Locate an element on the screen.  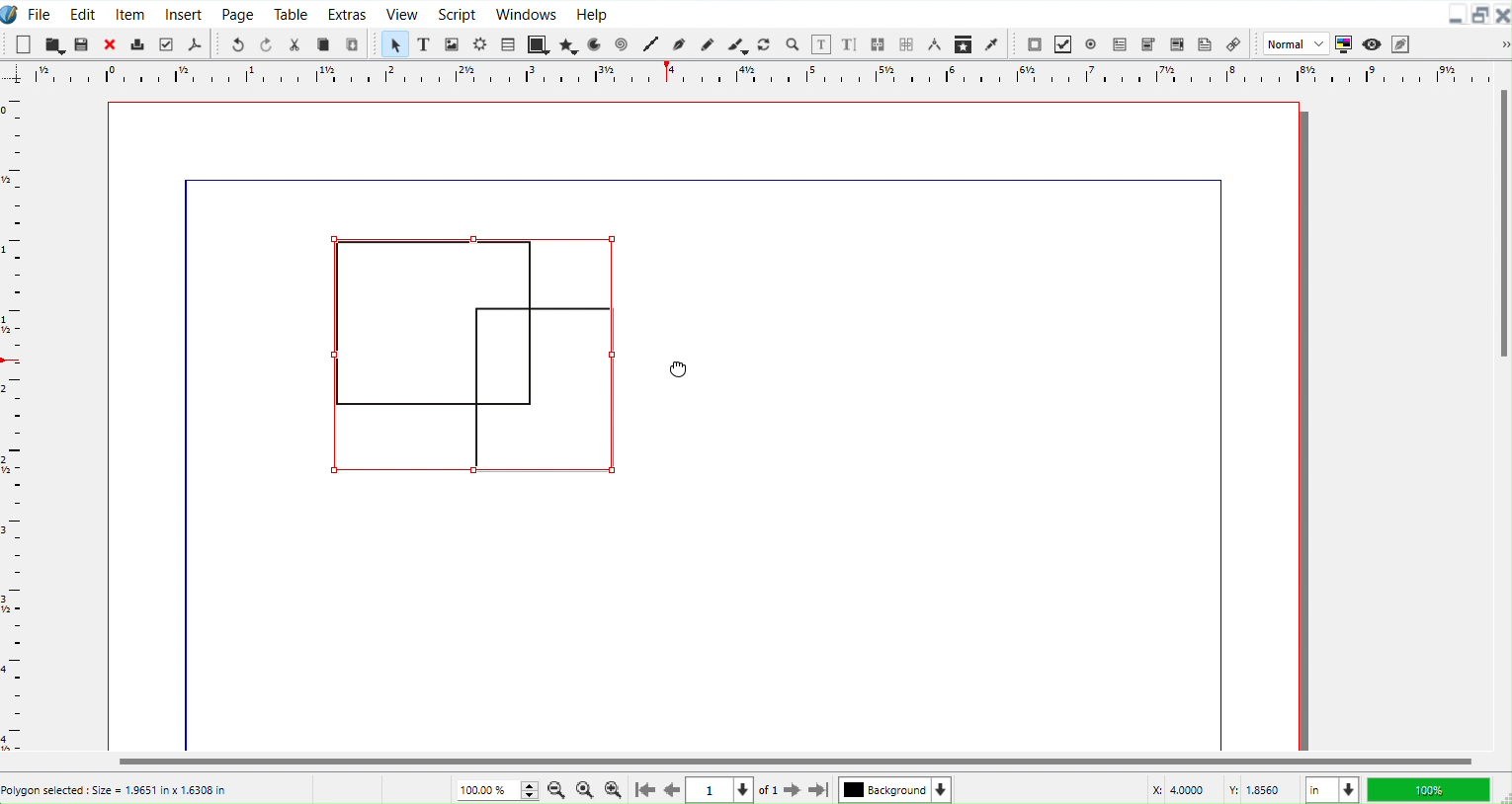
Table is located at coordinates (508, 43).